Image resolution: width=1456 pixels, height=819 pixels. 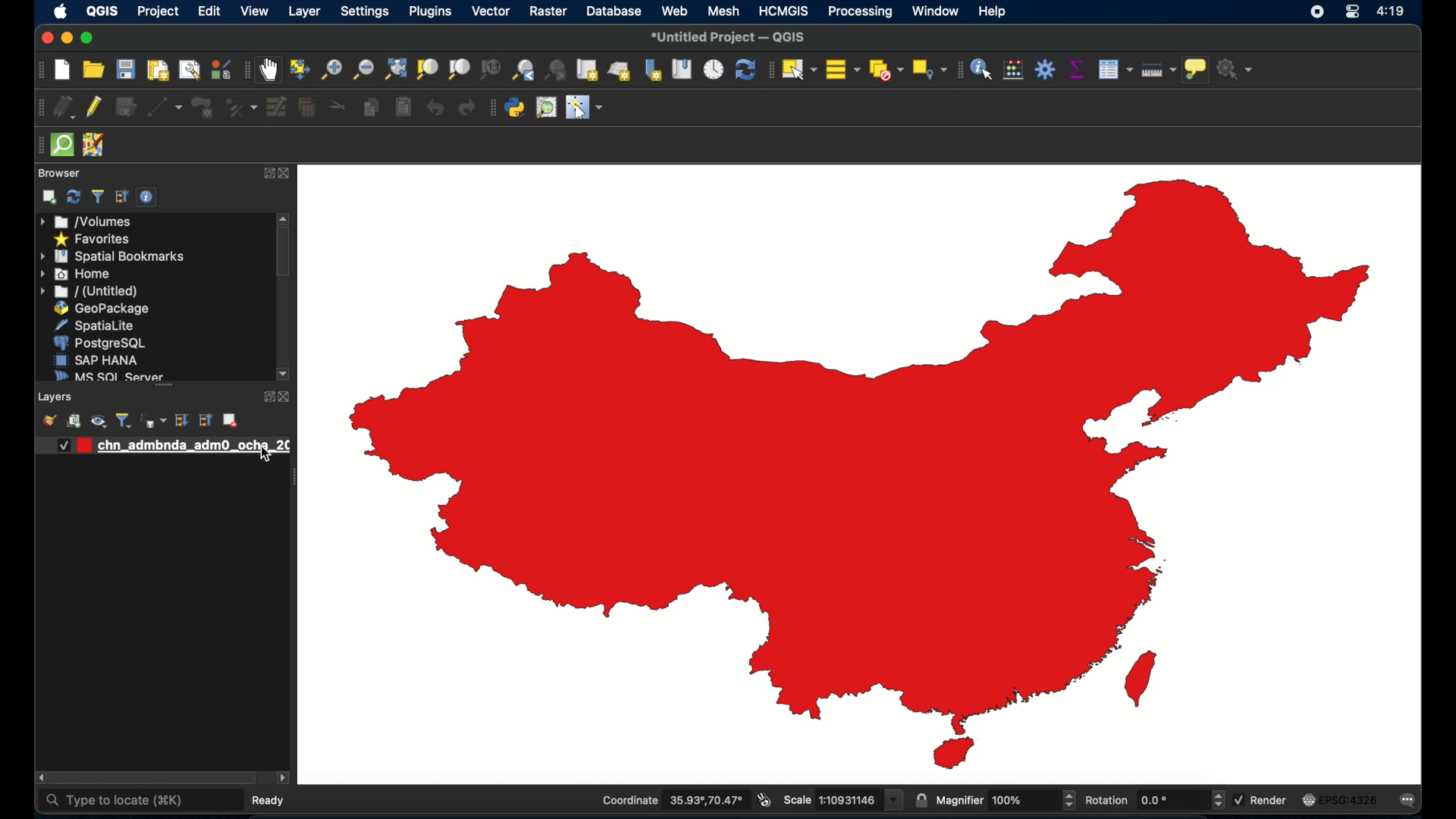 I want to click on temporal controller panel, so click(x=711, y=71).